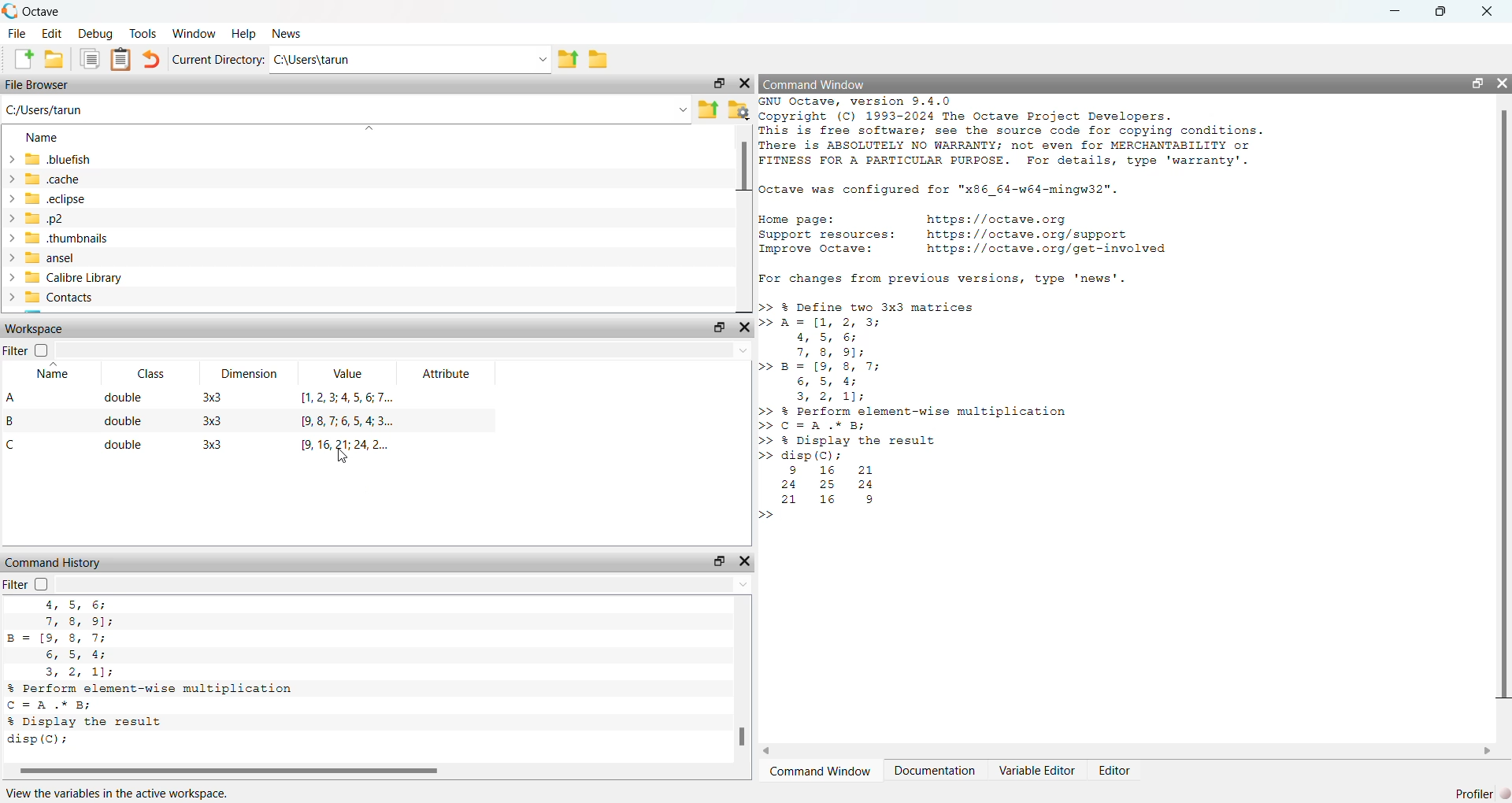  Describe the element at coordinates (93, 34) in the screenshot. I see `Debug` at that location.